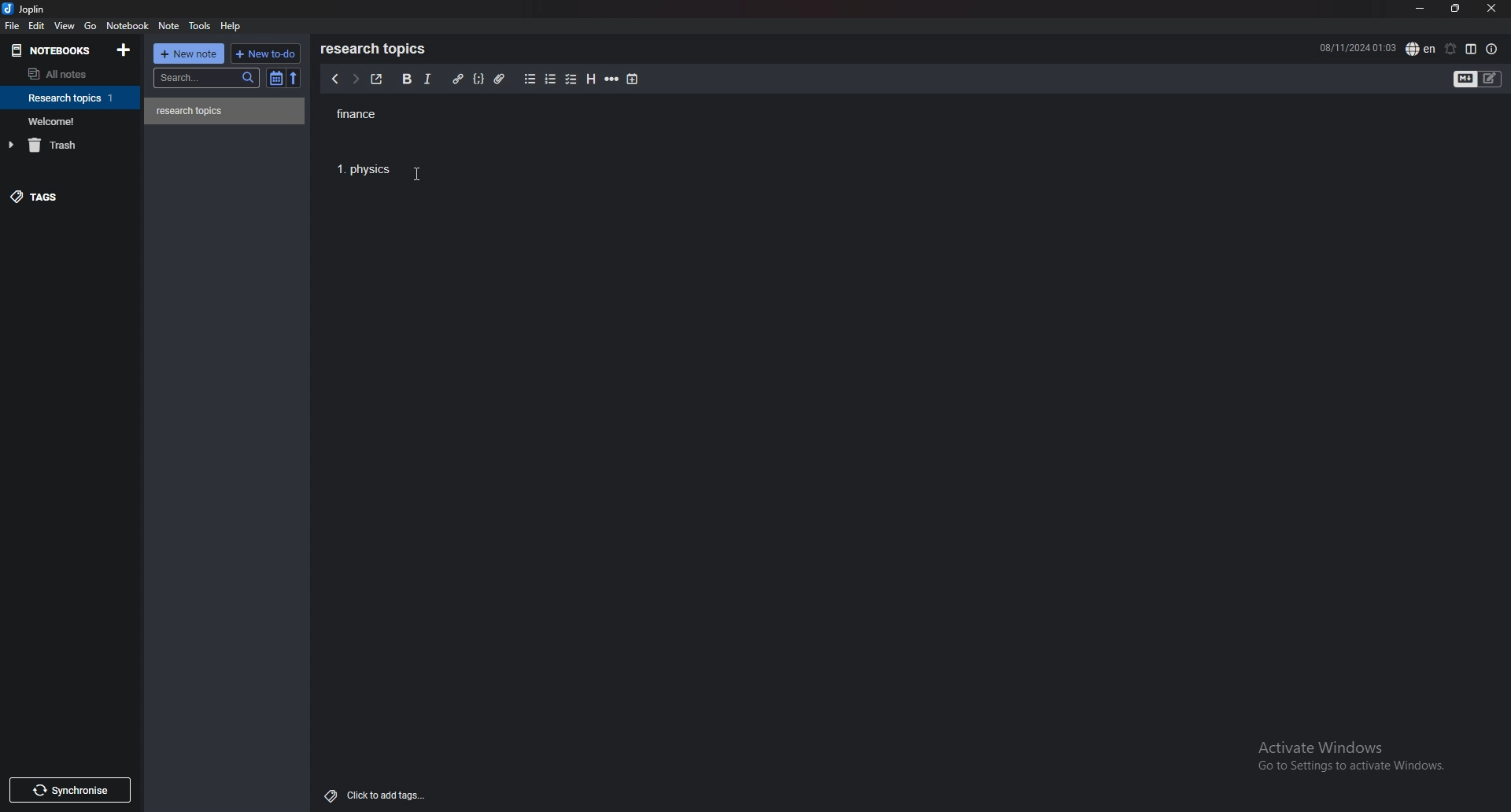  I want to click on toggle editor, so click(1479, 79).